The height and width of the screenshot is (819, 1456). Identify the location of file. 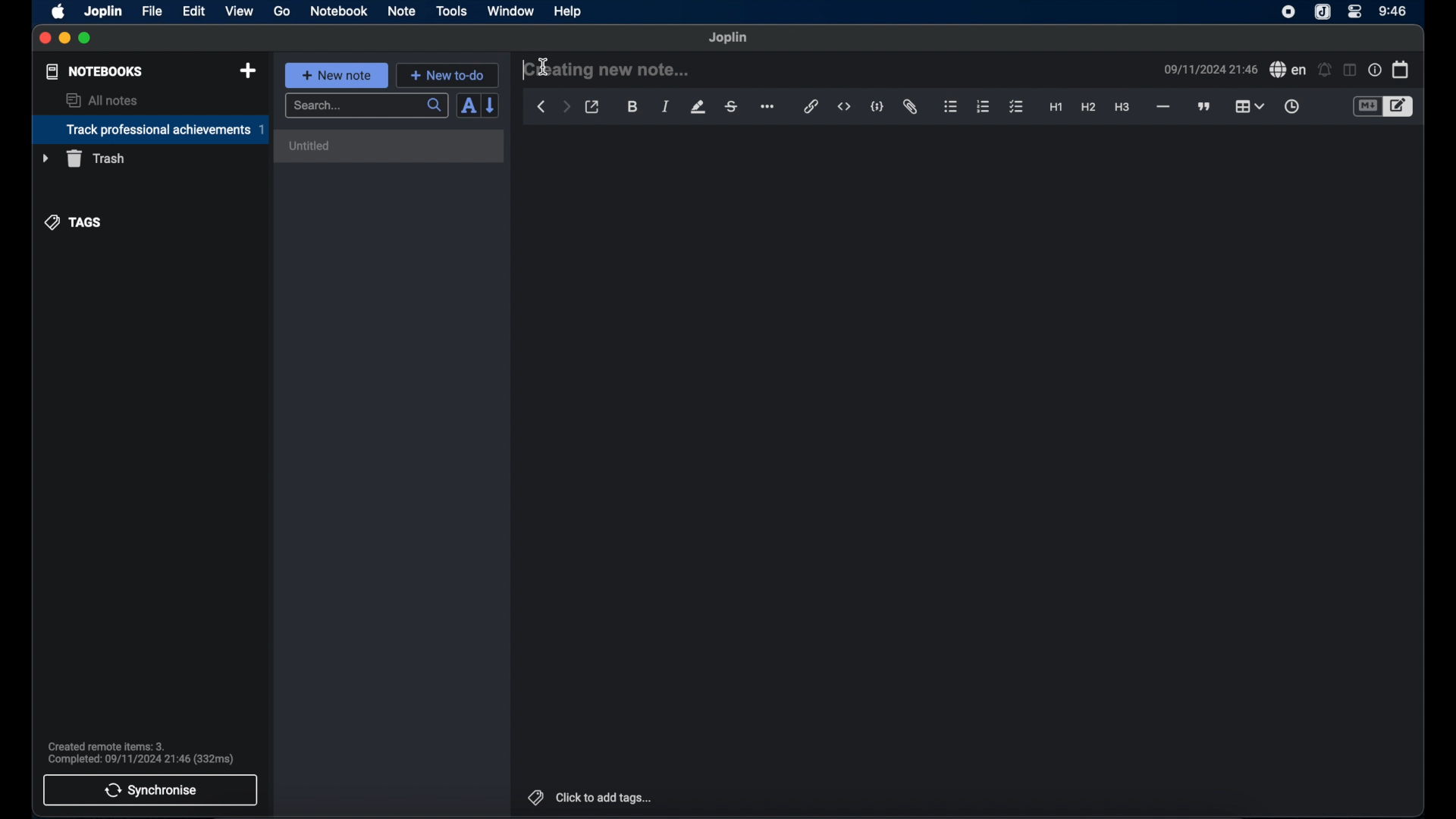
(152, 11).